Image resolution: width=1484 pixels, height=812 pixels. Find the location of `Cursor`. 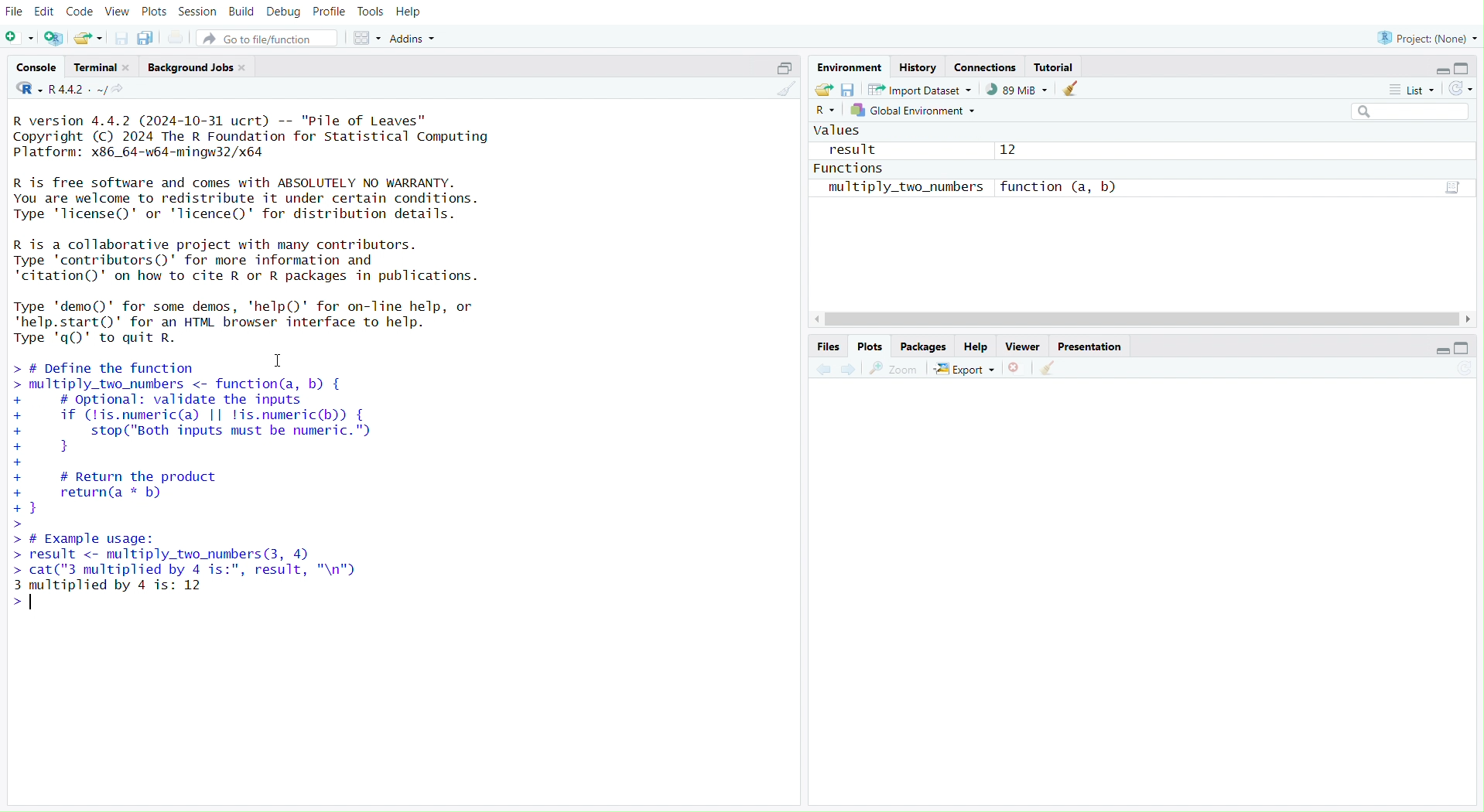

Cursor is located at coordinates (283, 363).